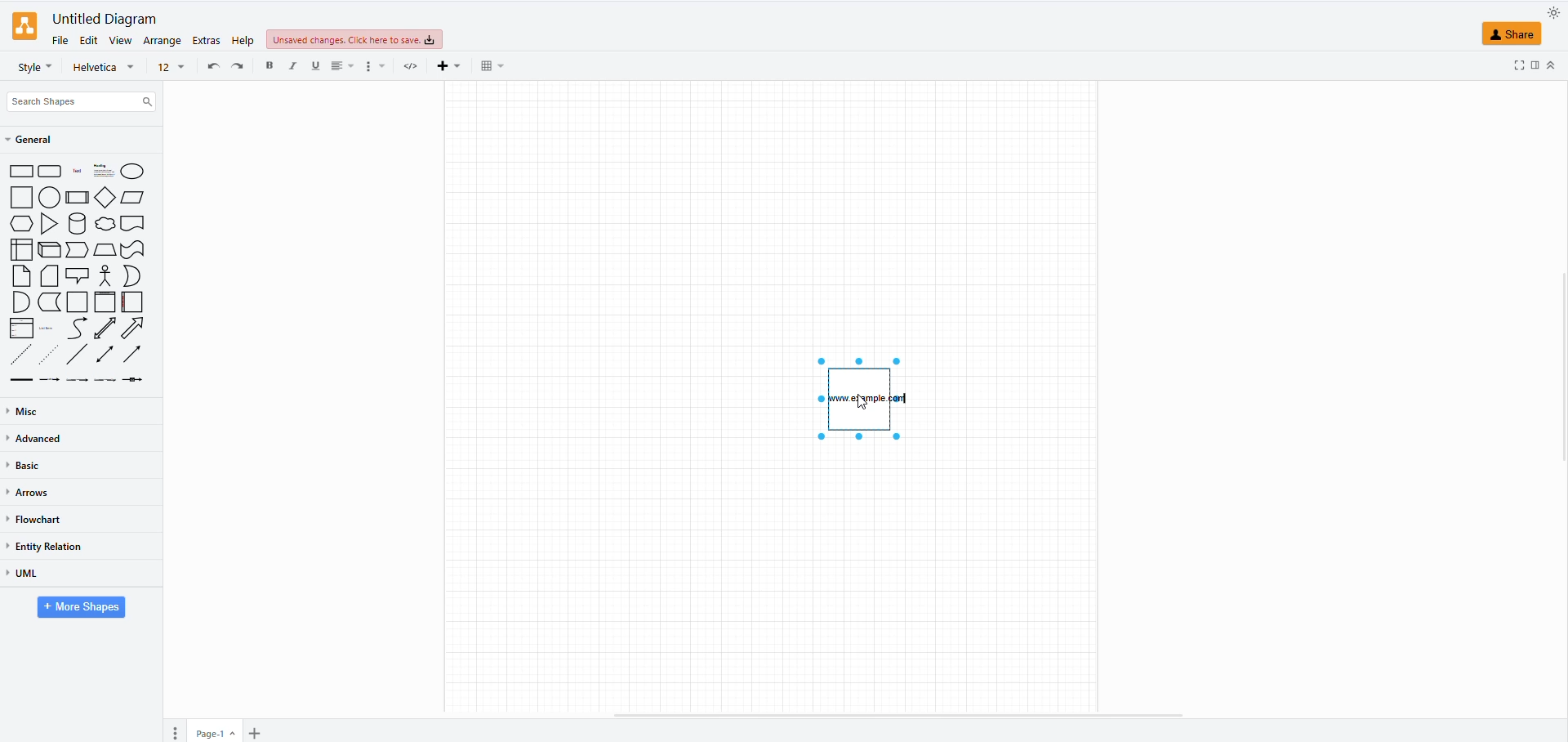 The image size is (1568, 742). Describe the element at coordinates (134, 198) in the screenshot. I see `parellelogram` at that location.